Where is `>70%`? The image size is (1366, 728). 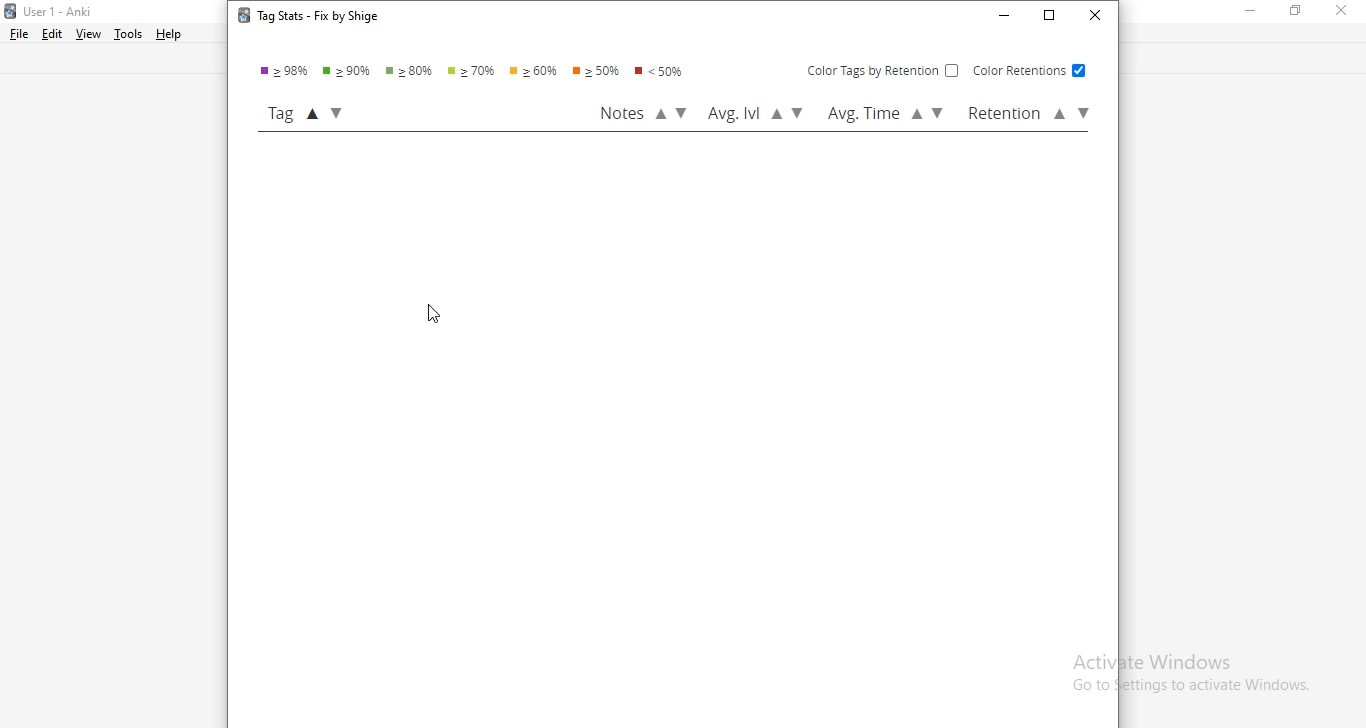 >70% is located at coordinates (475, 71).